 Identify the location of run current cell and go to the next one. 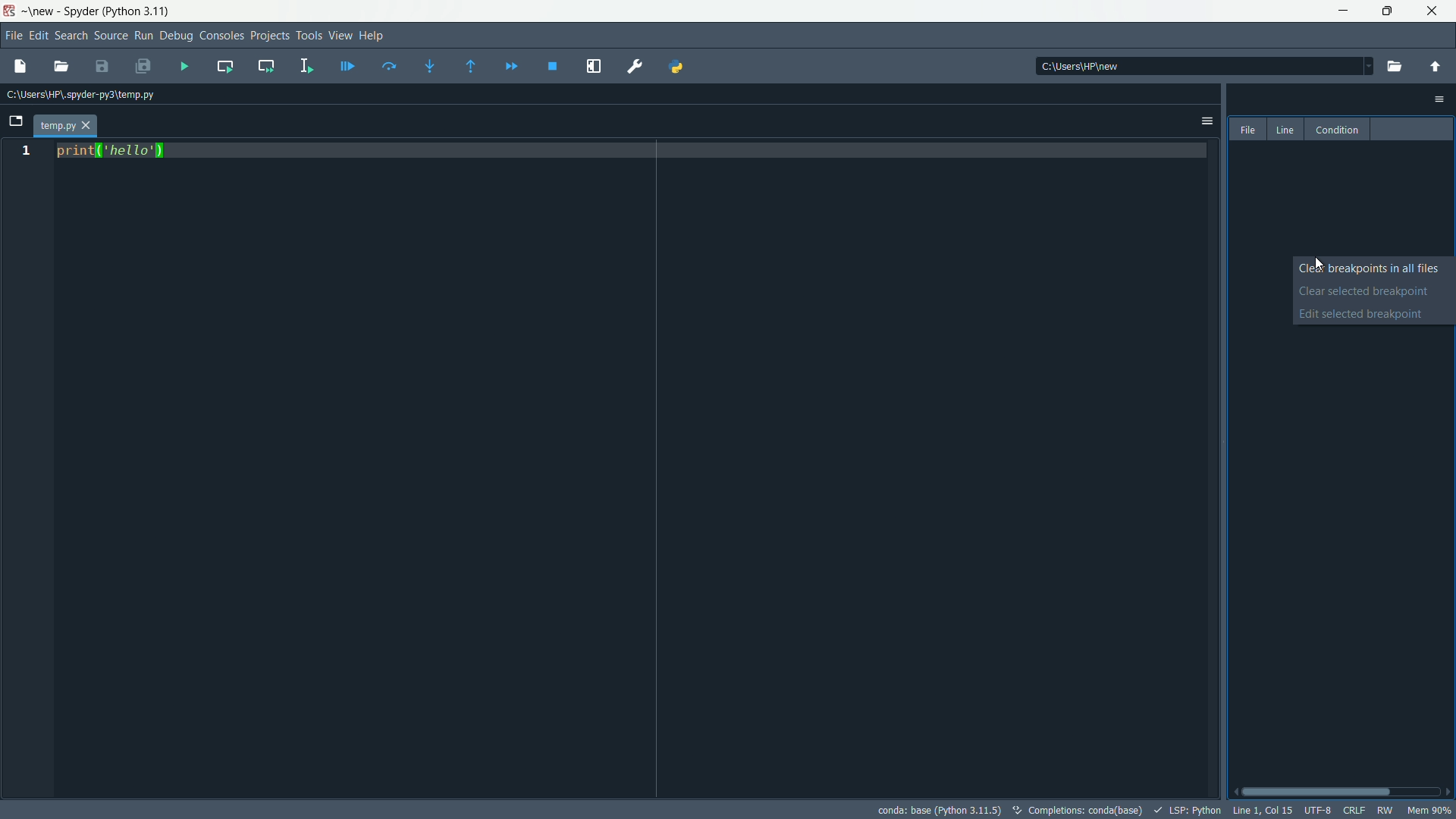
(265, 64).